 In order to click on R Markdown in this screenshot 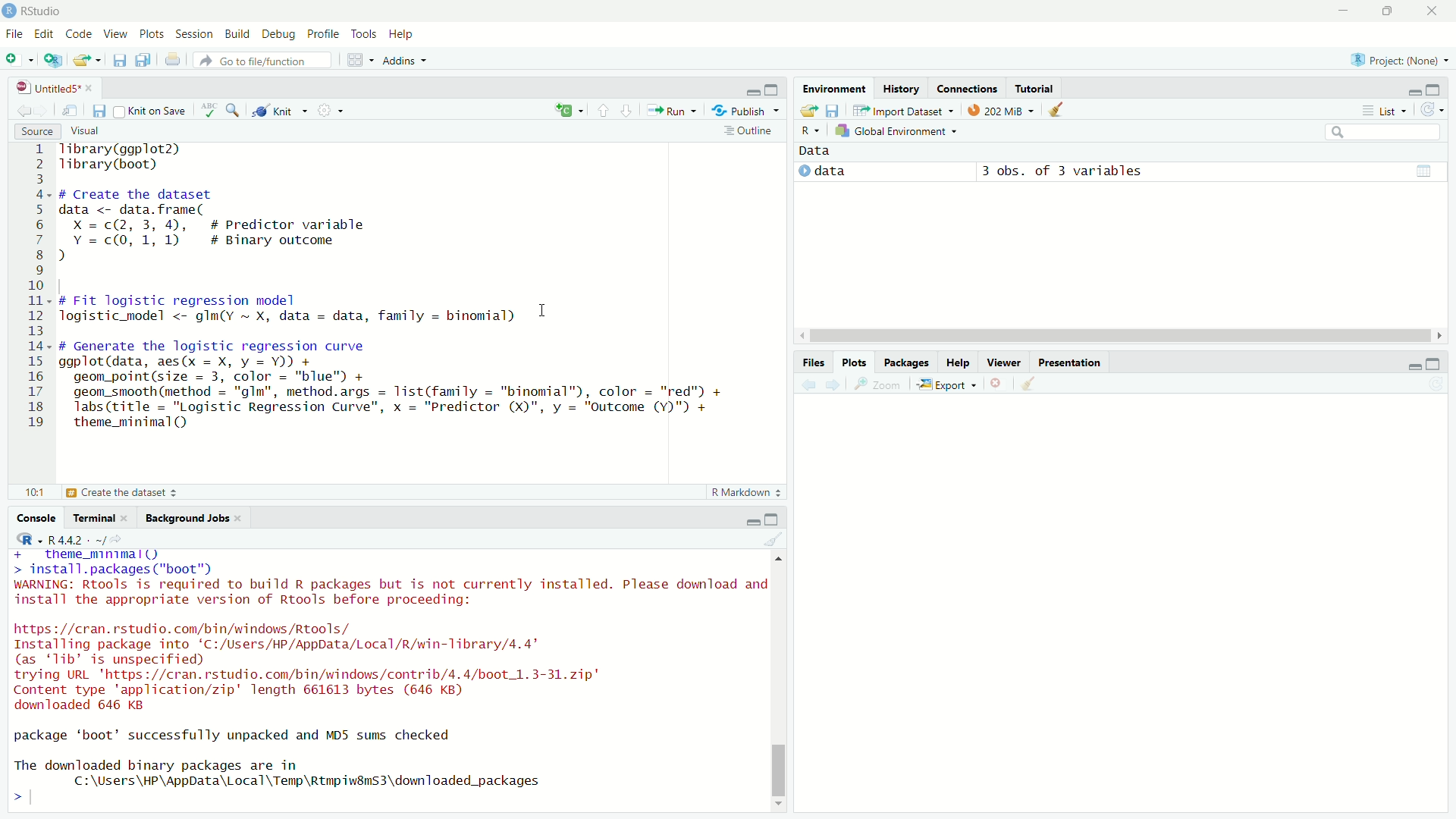, I will do `click(747, 492)`.